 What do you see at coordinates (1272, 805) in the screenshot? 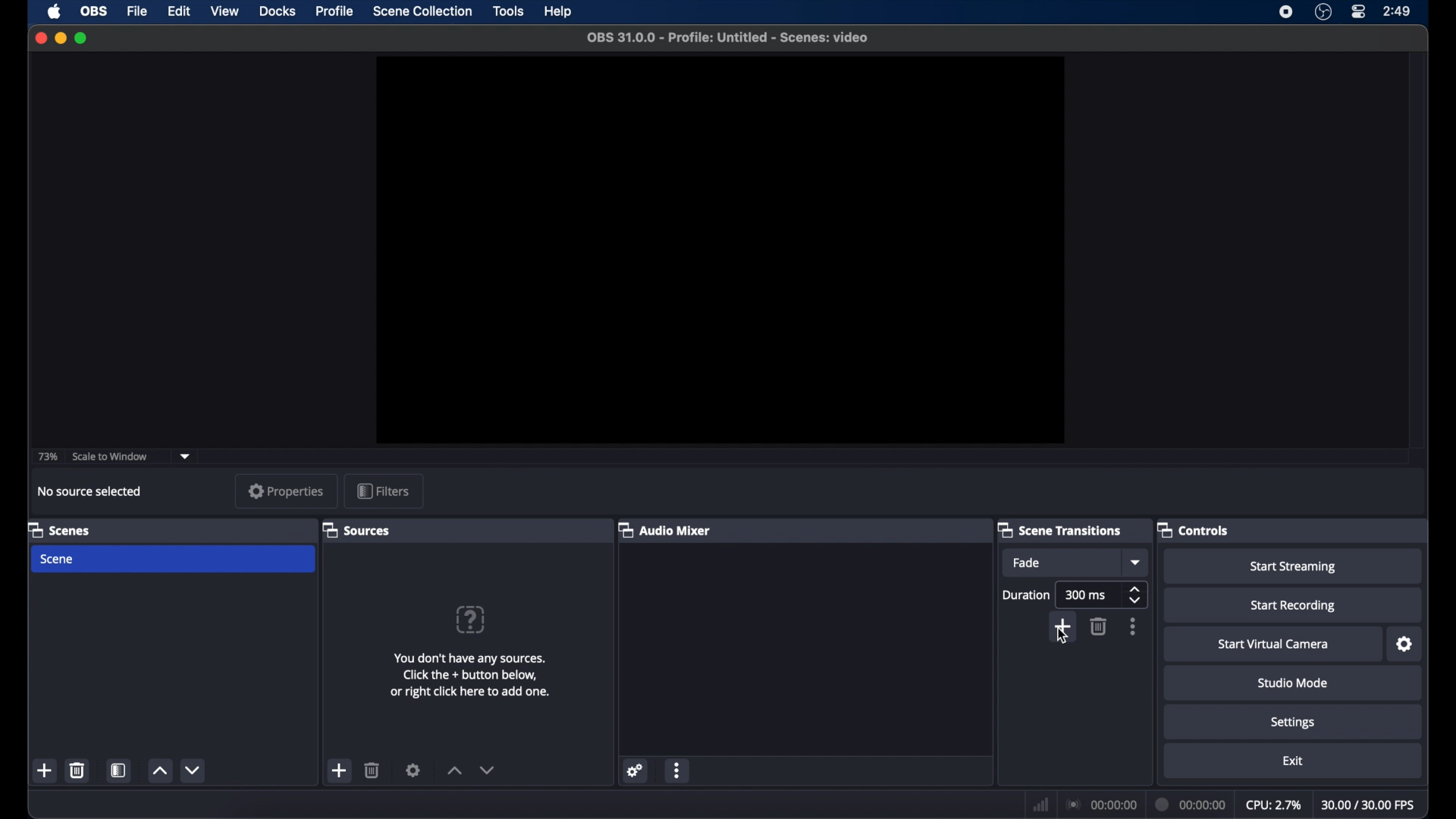
I see `cpu` at bounding box center [1272, 805].